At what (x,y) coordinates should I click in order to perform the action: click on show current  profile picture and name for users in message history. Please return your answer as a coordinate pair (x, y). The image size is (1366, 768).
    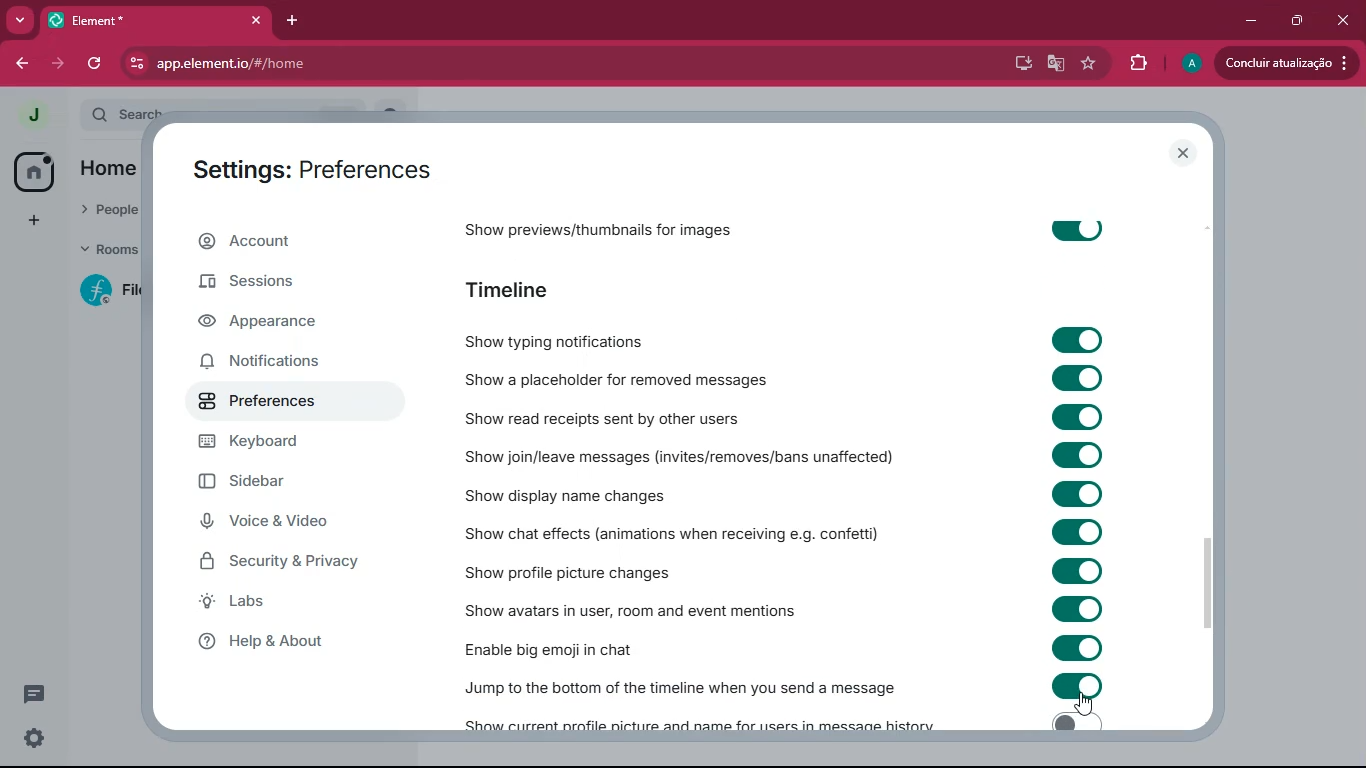
    Looking at the image, I should click on (694, 725).